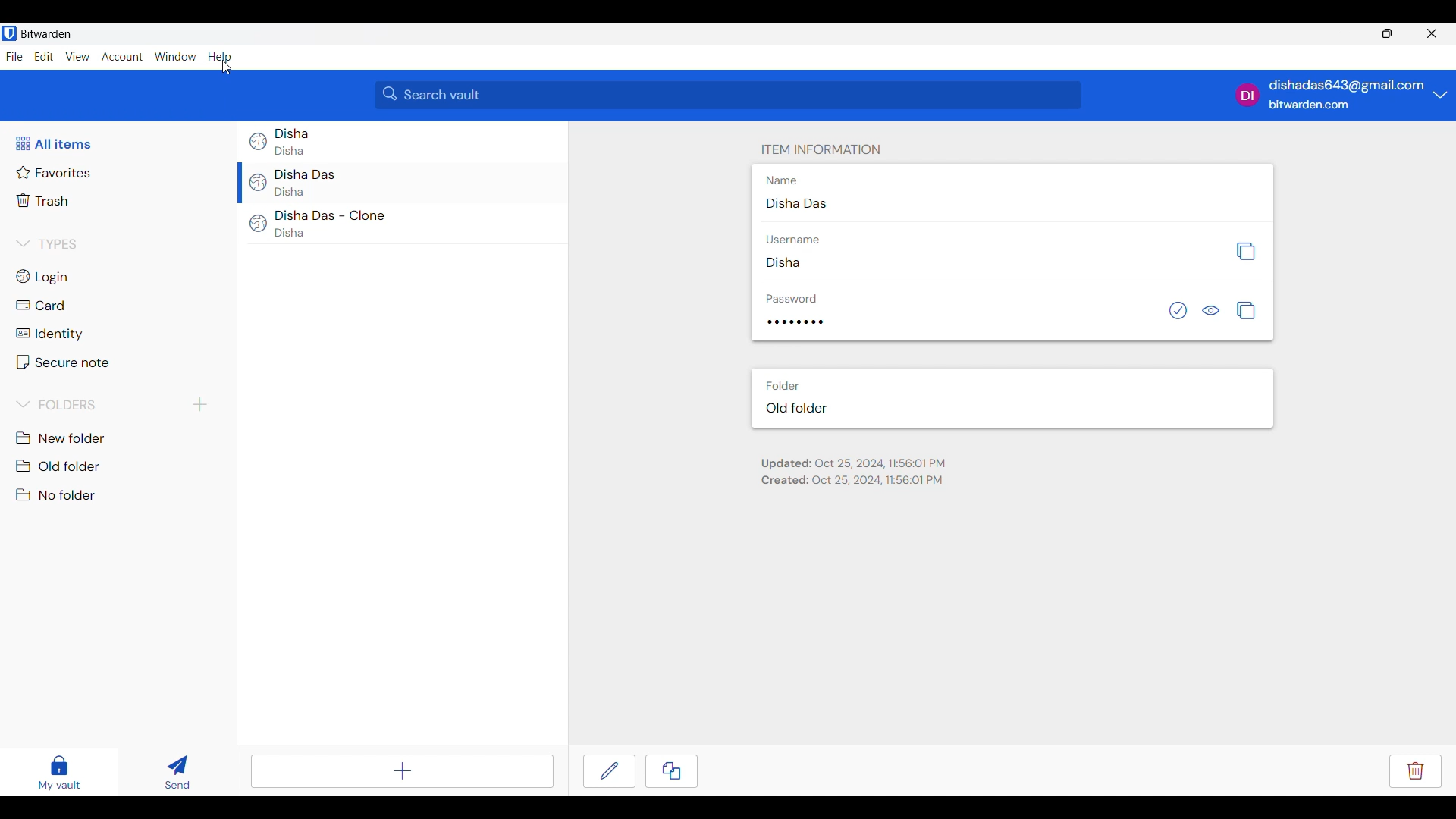 Image resolution: width=1456 pixels, height=819 pixels. What do you see at coordinates (852, 480) in the screenshot?
I see `Created: Oct 25, 2024, 11:56:01 PM` at bounding box center [852, 480].